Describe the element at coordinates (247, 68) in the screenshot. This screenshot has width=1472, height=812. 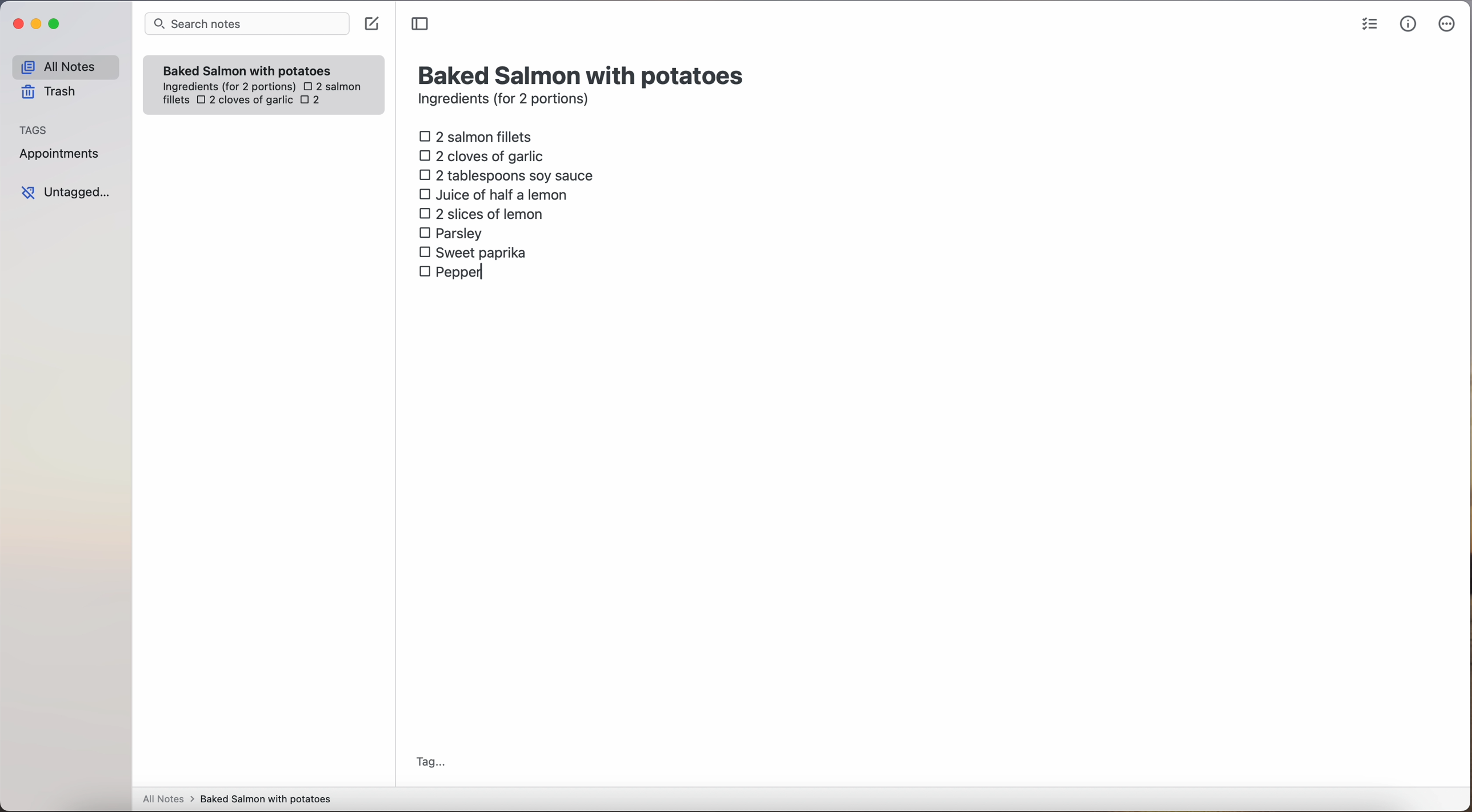
I see `Baked Salmon with potatoes` at that location.